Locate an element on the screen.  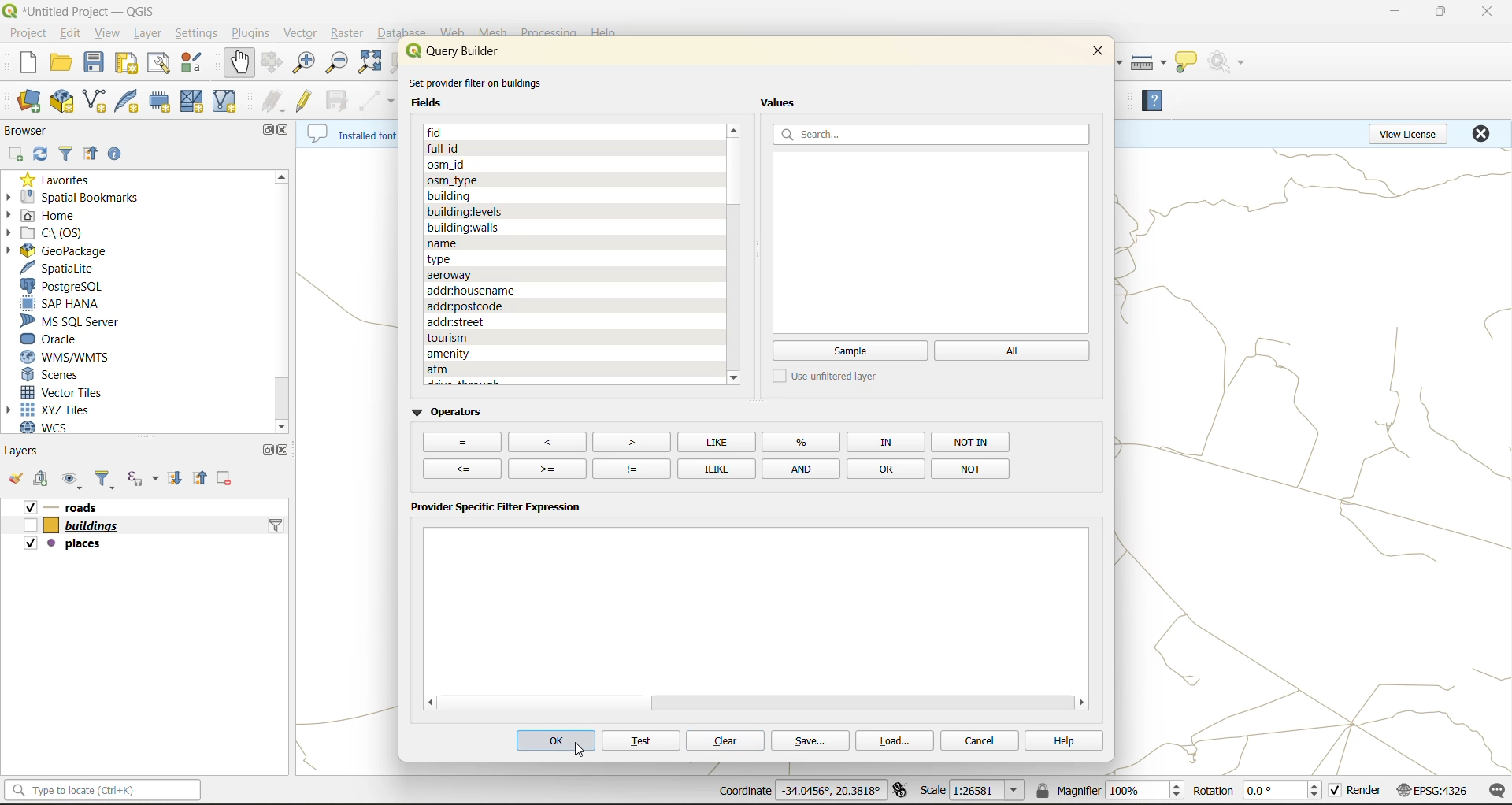
new shapefile is located at coordinates (97, 98).